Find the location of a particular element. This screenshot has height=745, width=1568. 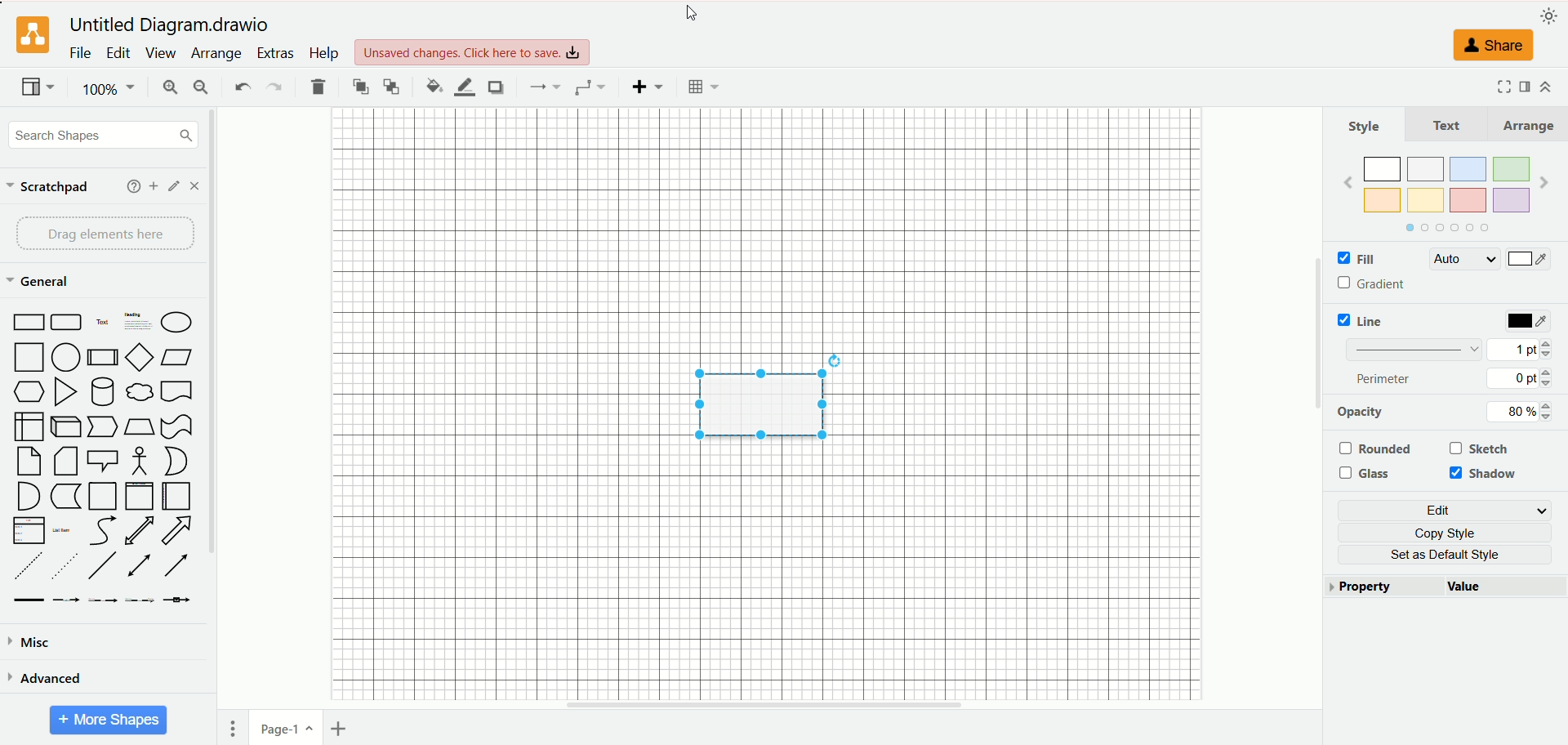

zoom in is located at coordinates (167, 89).